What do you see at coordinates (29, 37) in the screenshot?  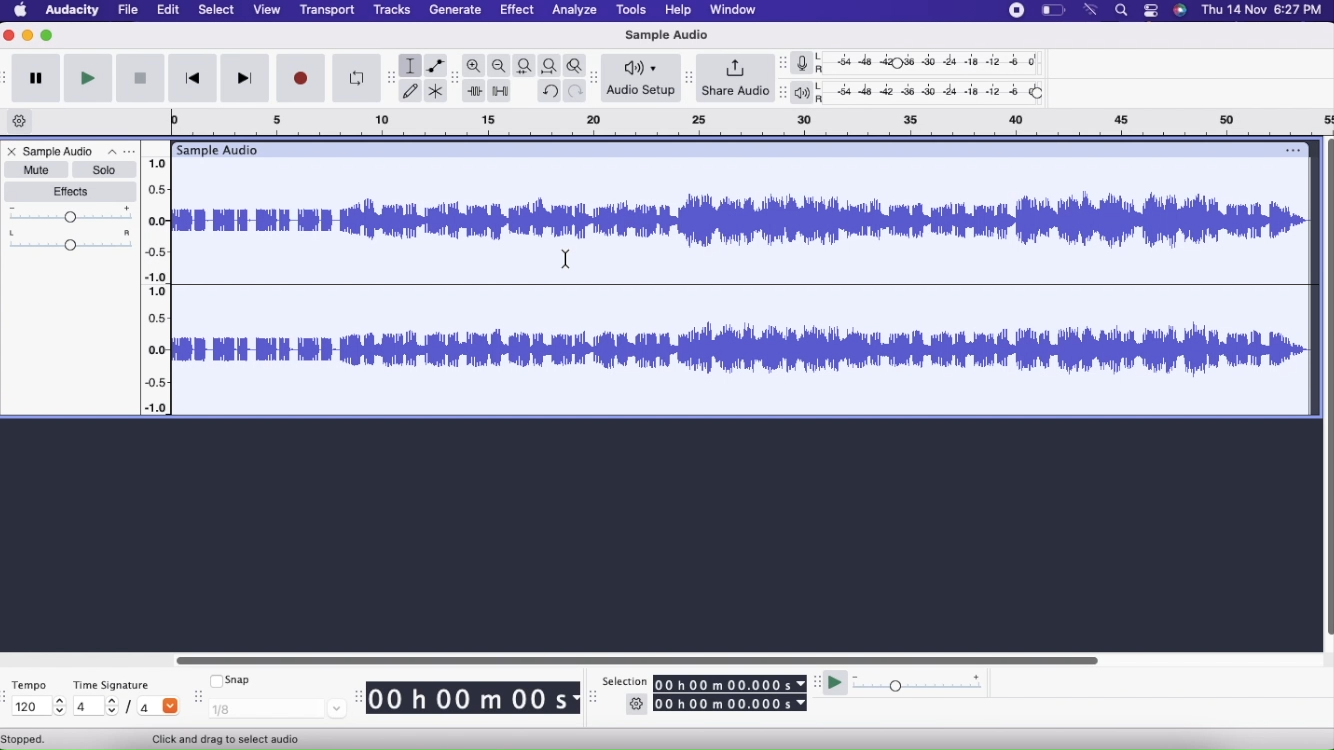 I see `Minimize` at bounding box center [29, 37].